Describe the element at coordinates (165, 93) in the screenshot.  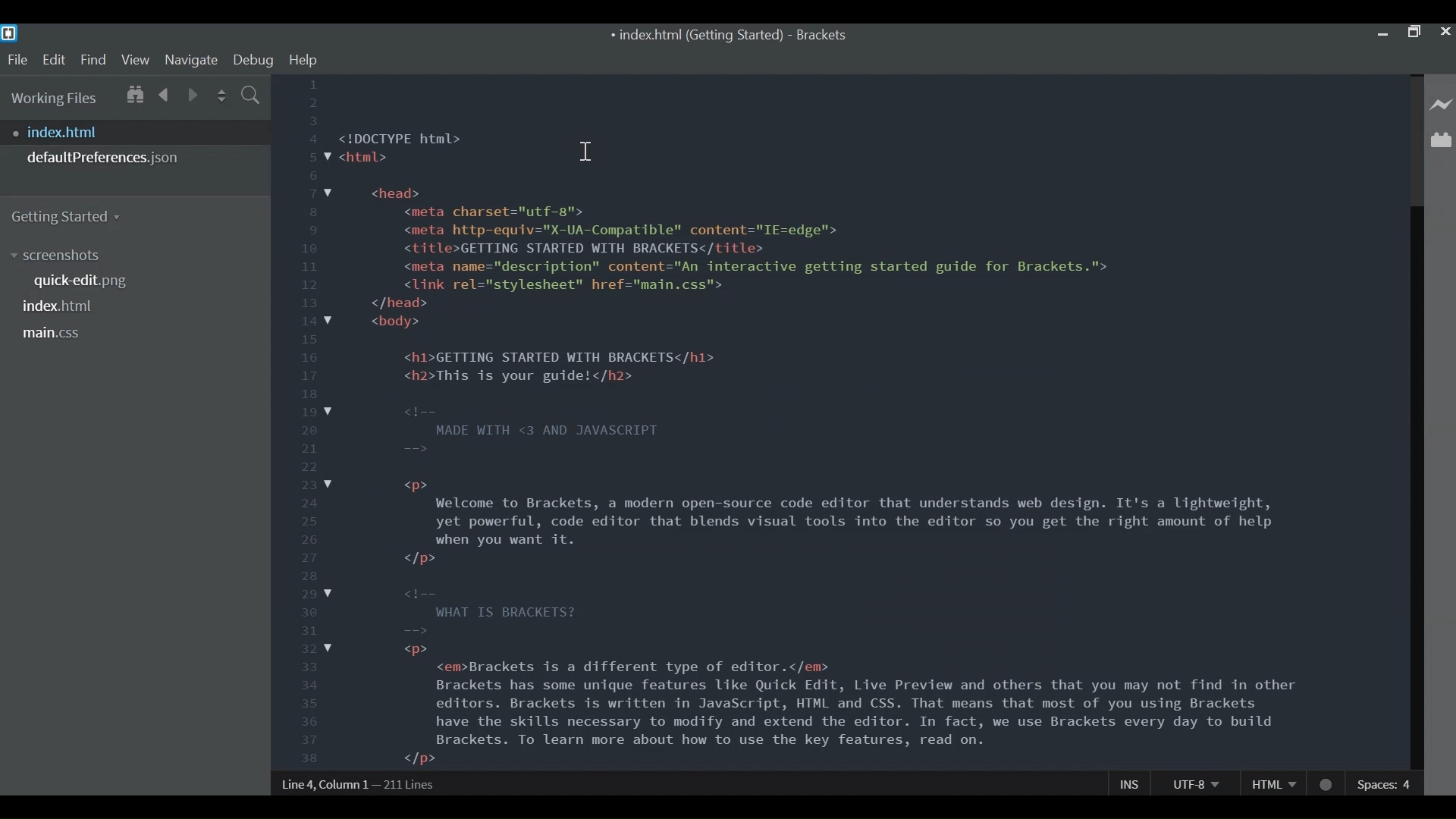
I see `Navigate Backwards` at that location.